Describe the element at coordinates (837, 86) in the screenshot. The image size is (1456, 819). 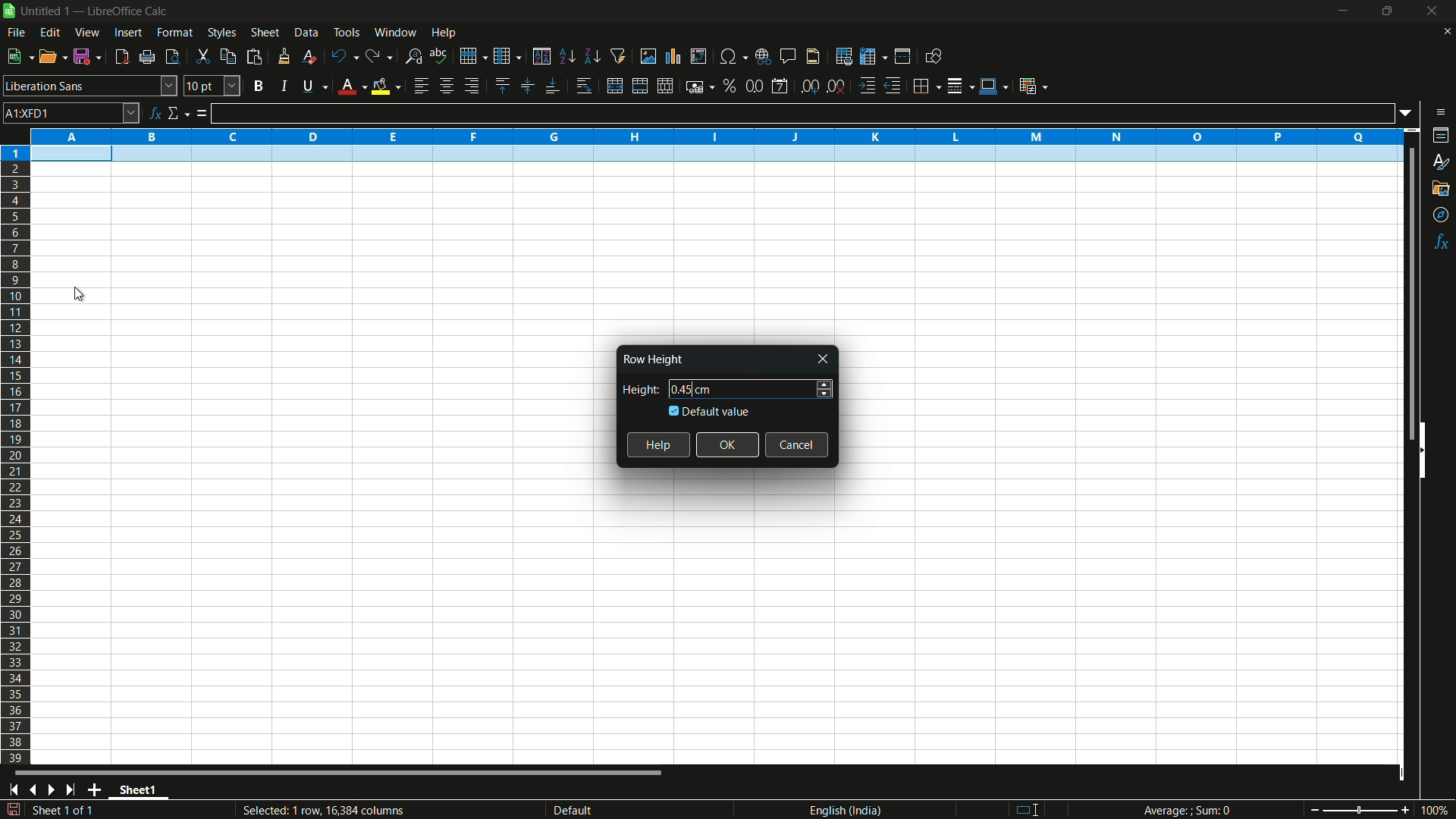
I see `delete decimal place` at that location.